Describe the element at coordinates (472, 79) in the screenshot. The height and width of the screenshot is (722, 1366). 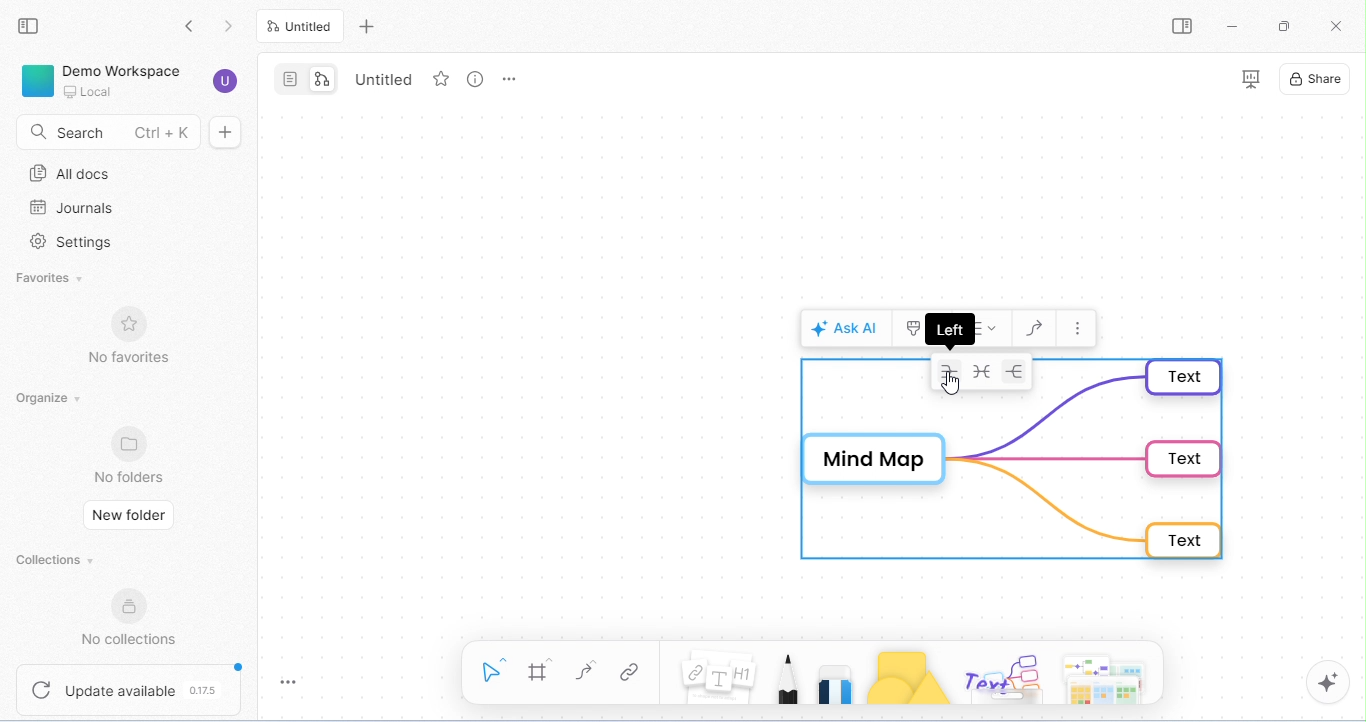
I see `view info` at that location.